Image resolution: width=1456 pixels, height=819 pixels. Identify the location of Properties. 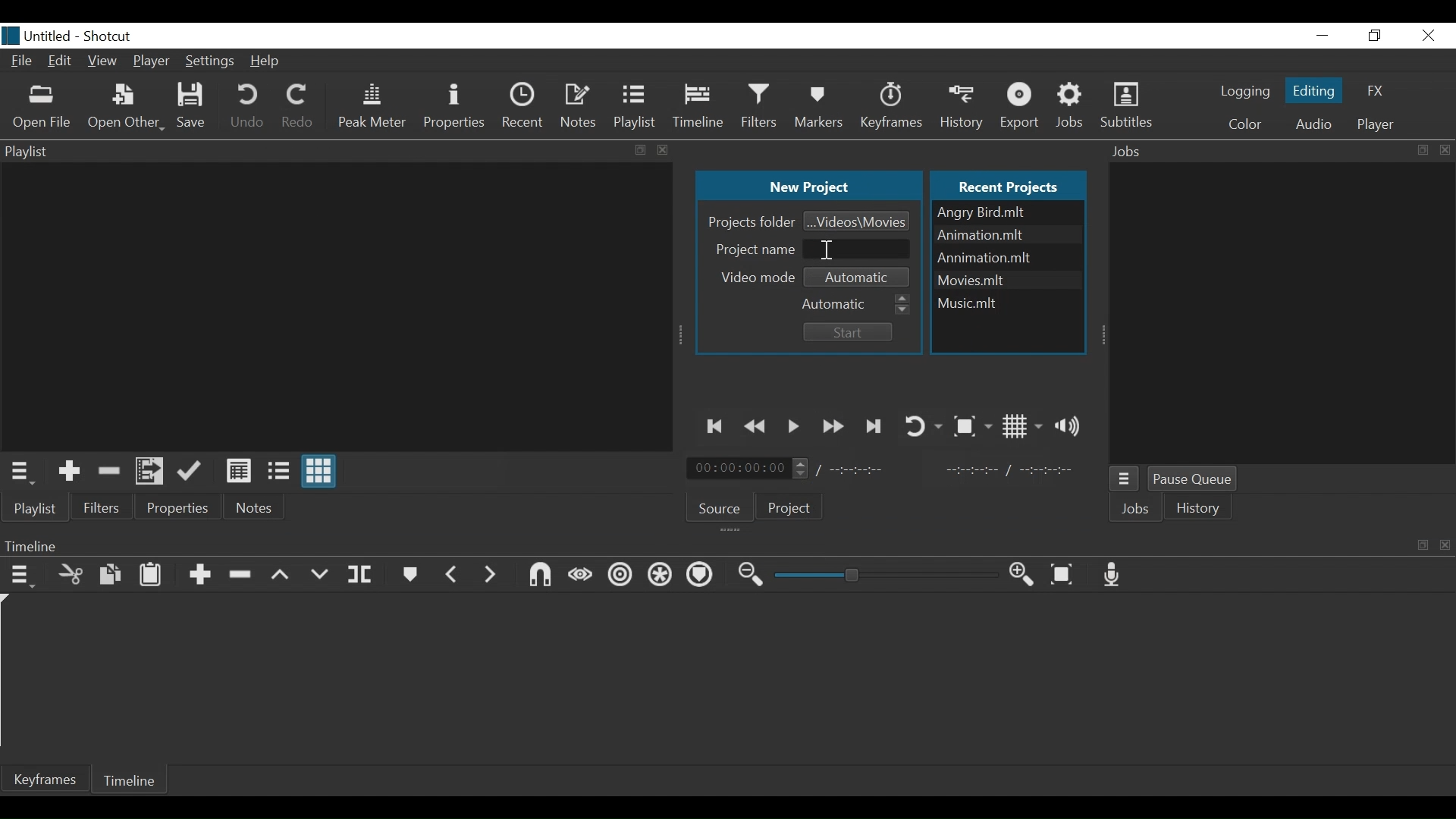
(453, 106).